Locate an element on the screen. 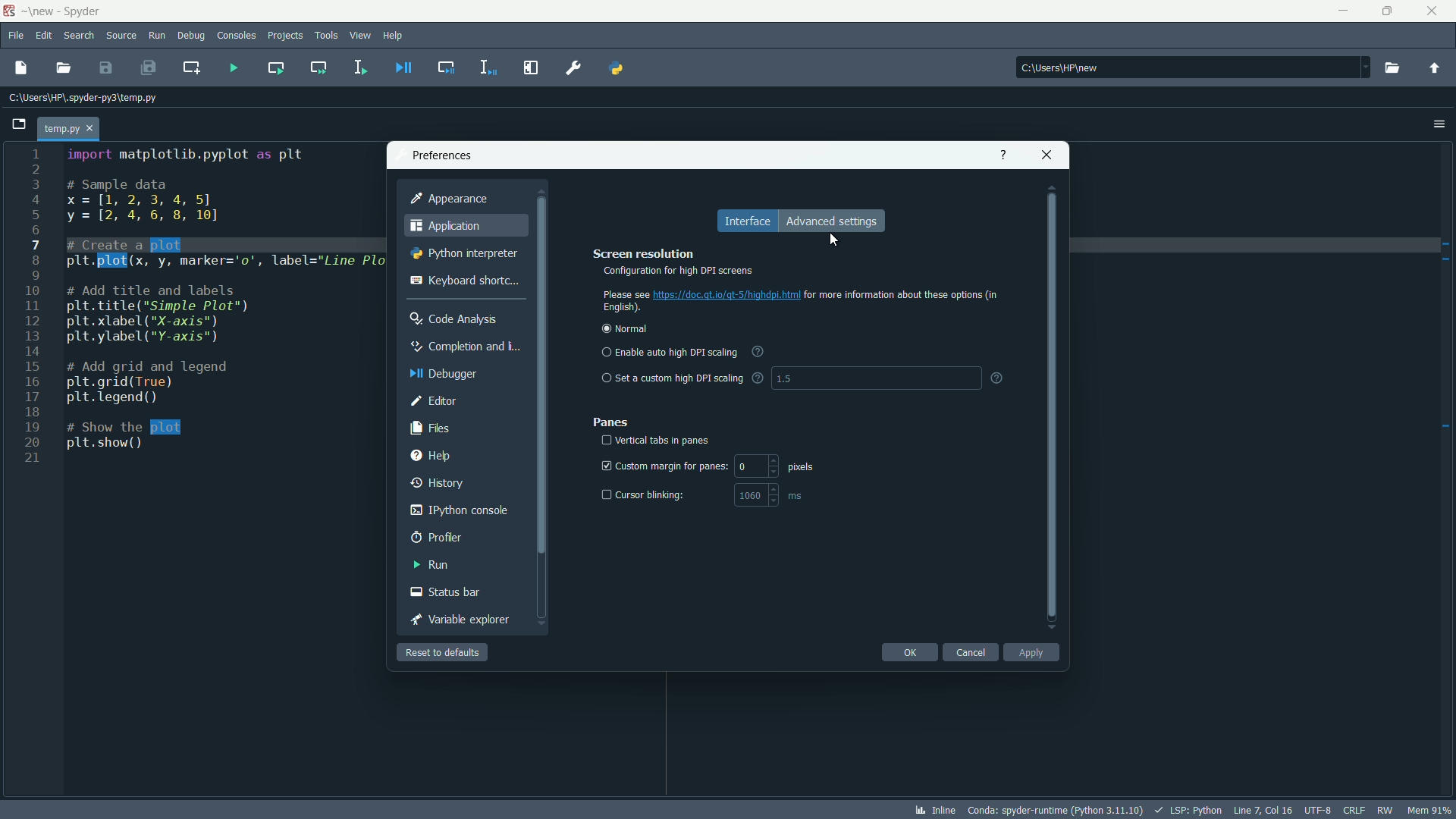 The height and width of the screenshot is (819, 1456). file tab is located at coordinates (69, 127).